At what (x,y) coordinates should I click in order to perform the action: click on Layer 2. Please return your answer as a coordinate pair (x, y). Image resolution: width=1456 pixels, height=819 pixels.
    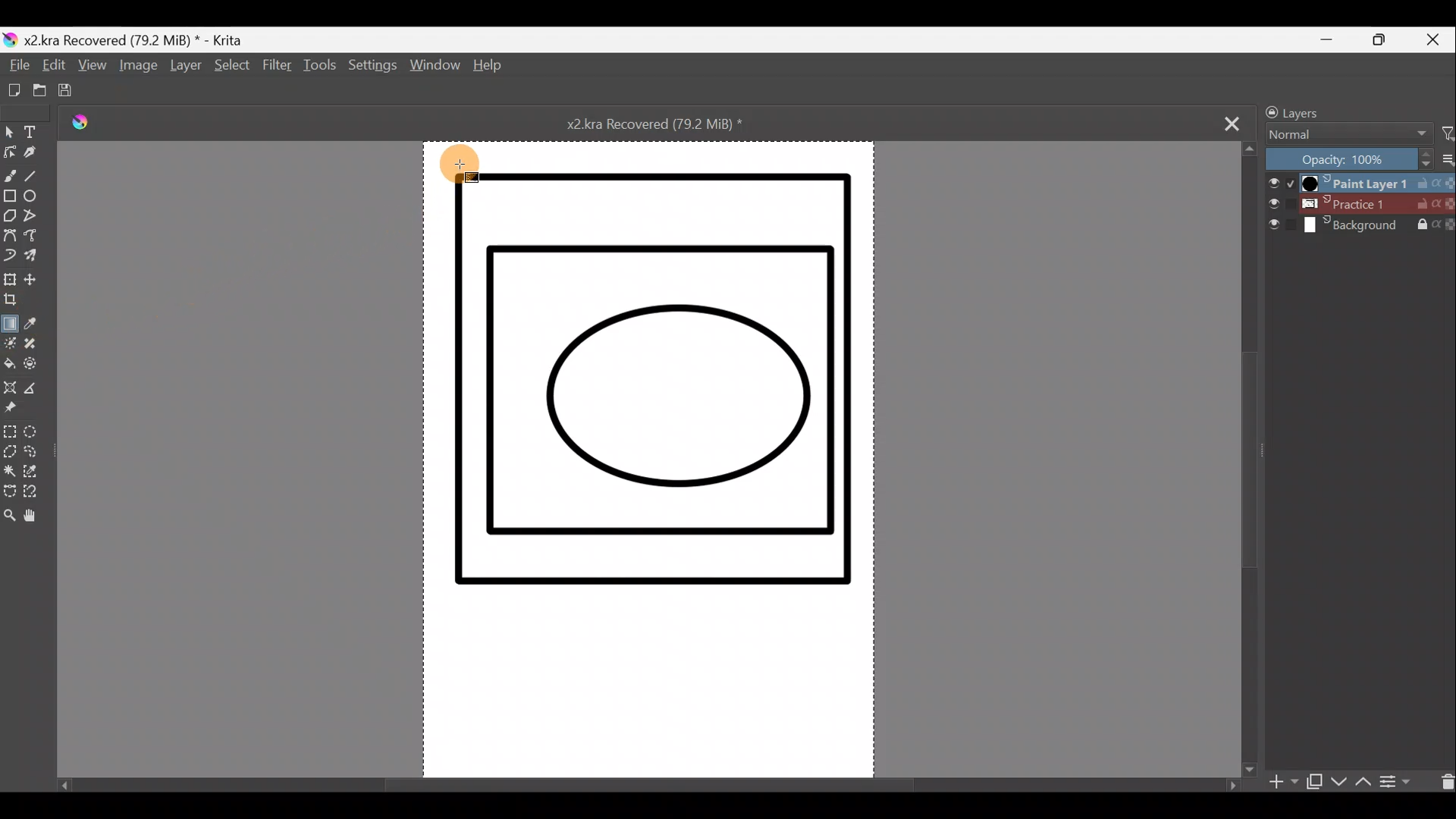
    Looking at the image, I should click on (1360, 204).